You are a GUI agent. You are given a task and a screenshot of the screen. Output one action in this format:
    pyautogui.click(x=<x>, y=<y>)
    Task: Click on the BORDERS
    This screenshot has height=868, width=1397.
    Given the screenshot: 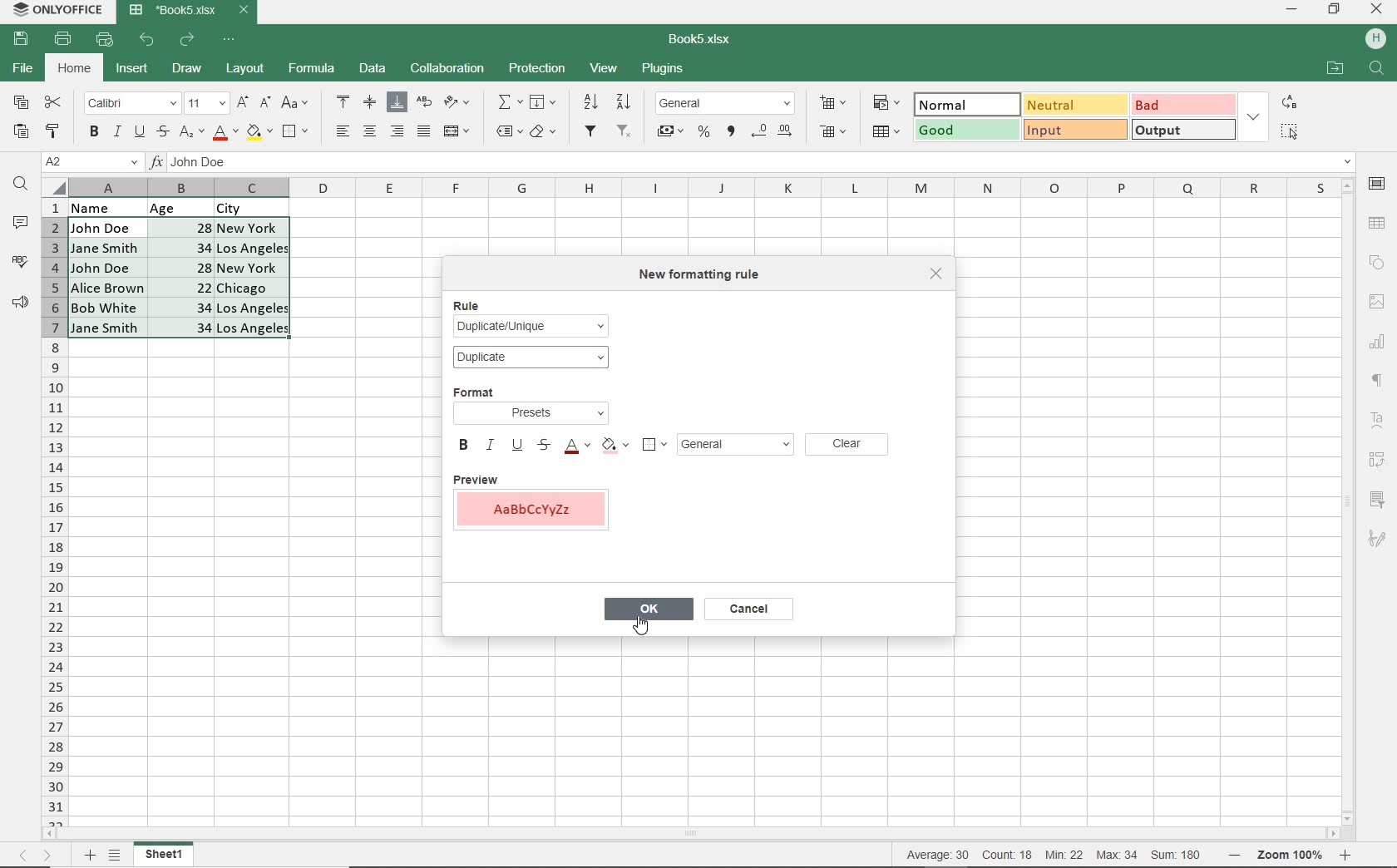 What is the action you would take?
    pyautogui.click(x=298, y=132)
    